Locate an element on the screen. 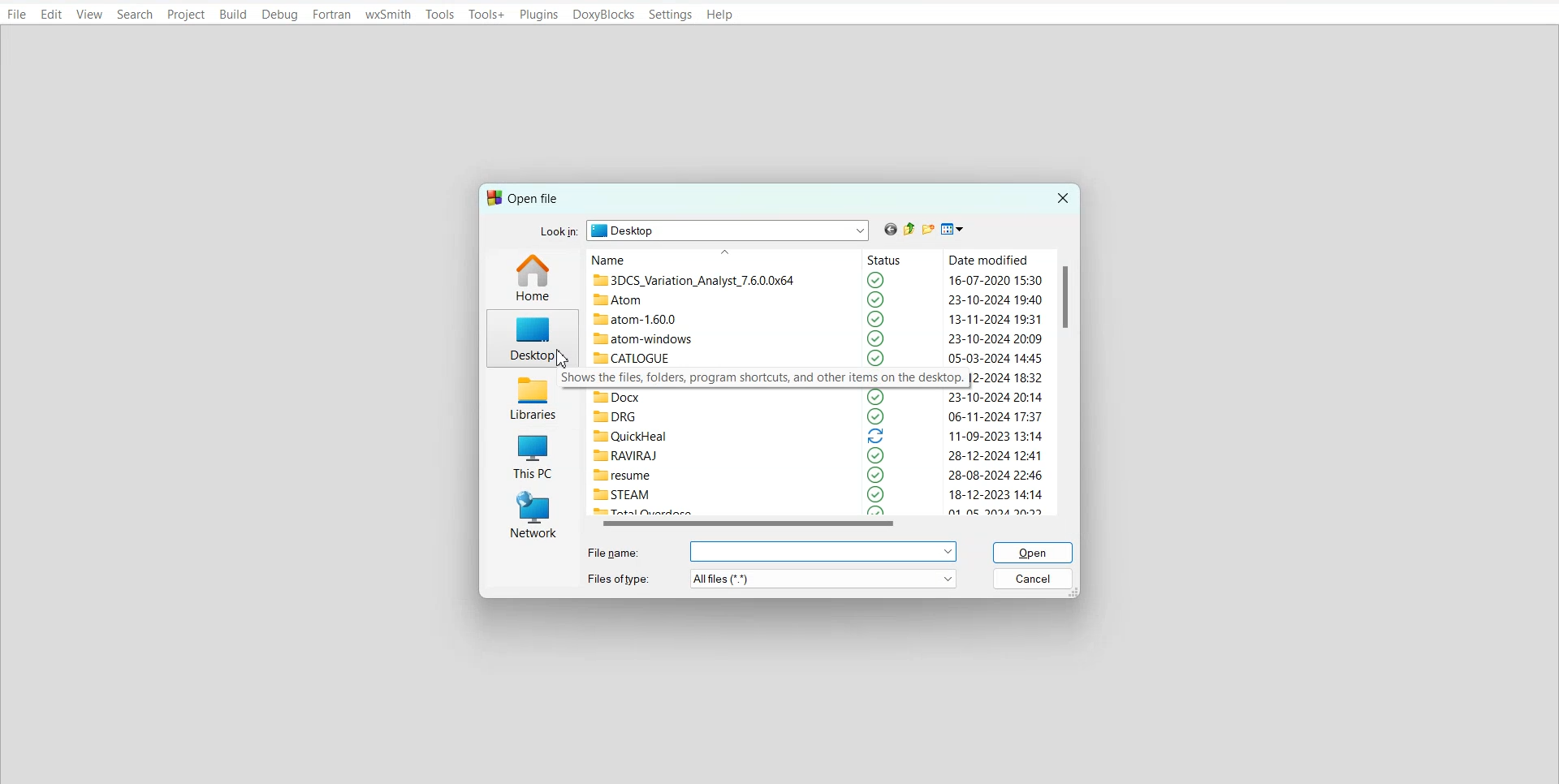 Image resolution: width=1559 pixels, height=784 pixels. Date modified  is located at coordinates (987, 261).